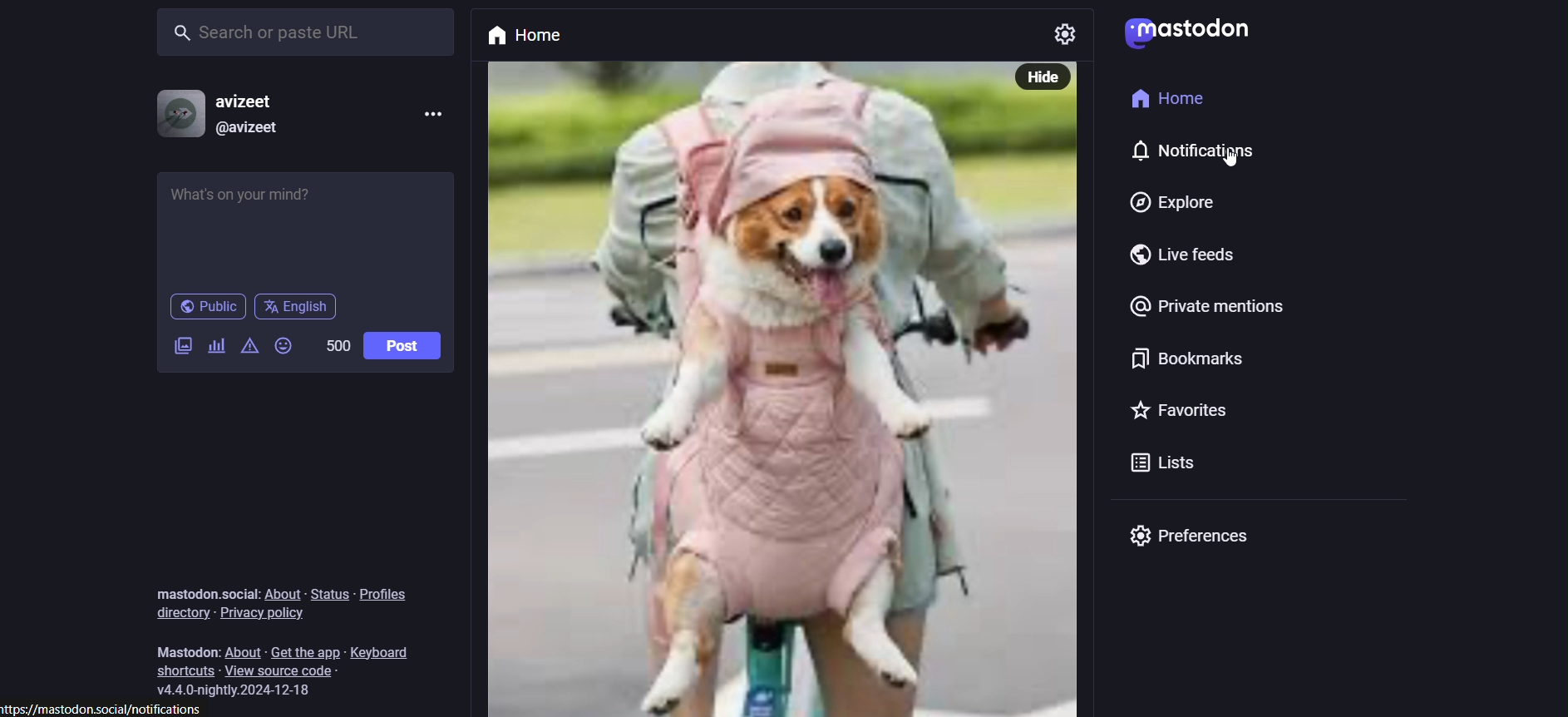 This screenshot has width=1568, height=717. What do you see at coordinates (207, 308) in the screenshot?
I see `public post` at bounding box center [207, 308].